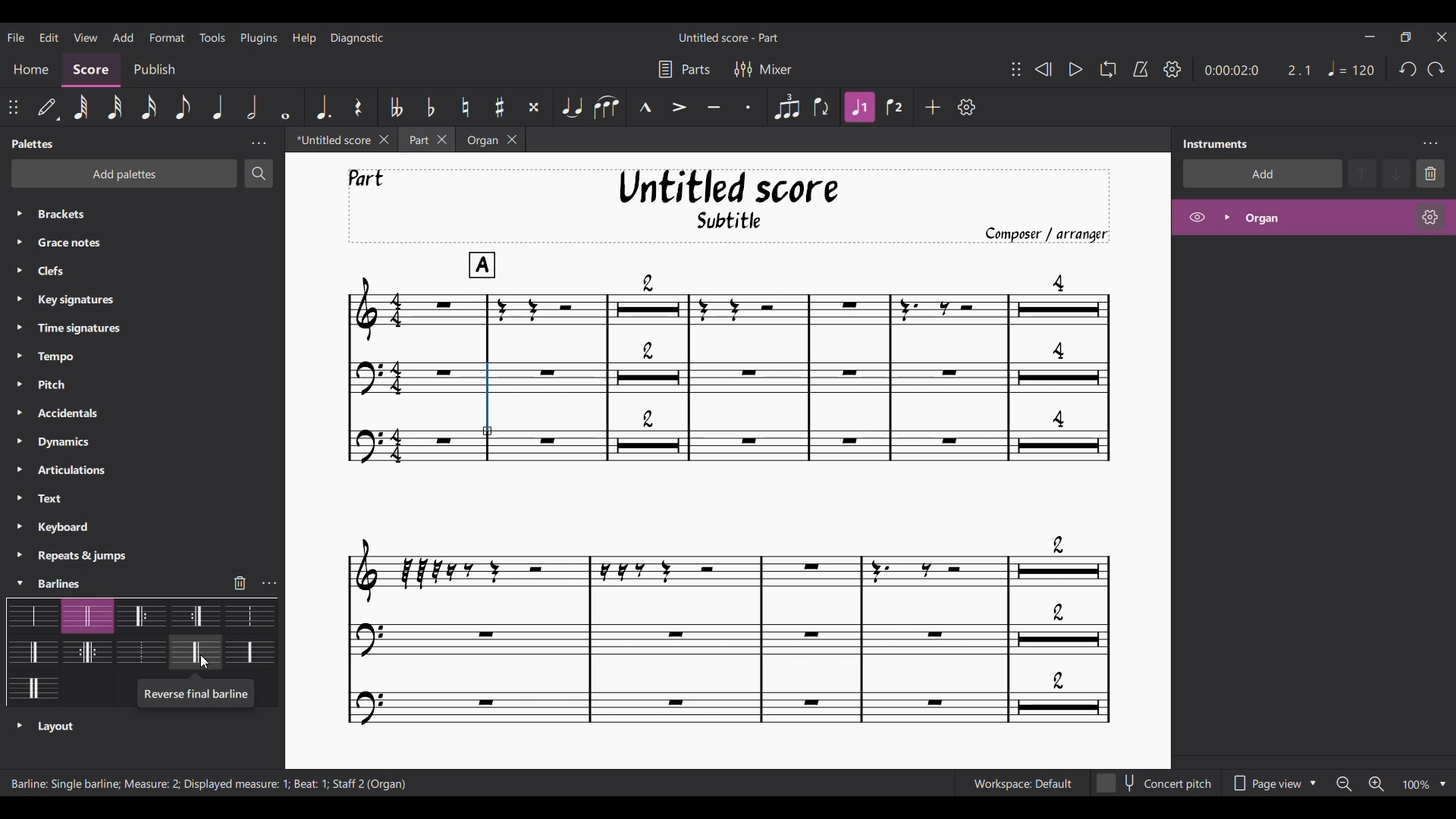  I want to click on Barline palette options, so click(141, 642).